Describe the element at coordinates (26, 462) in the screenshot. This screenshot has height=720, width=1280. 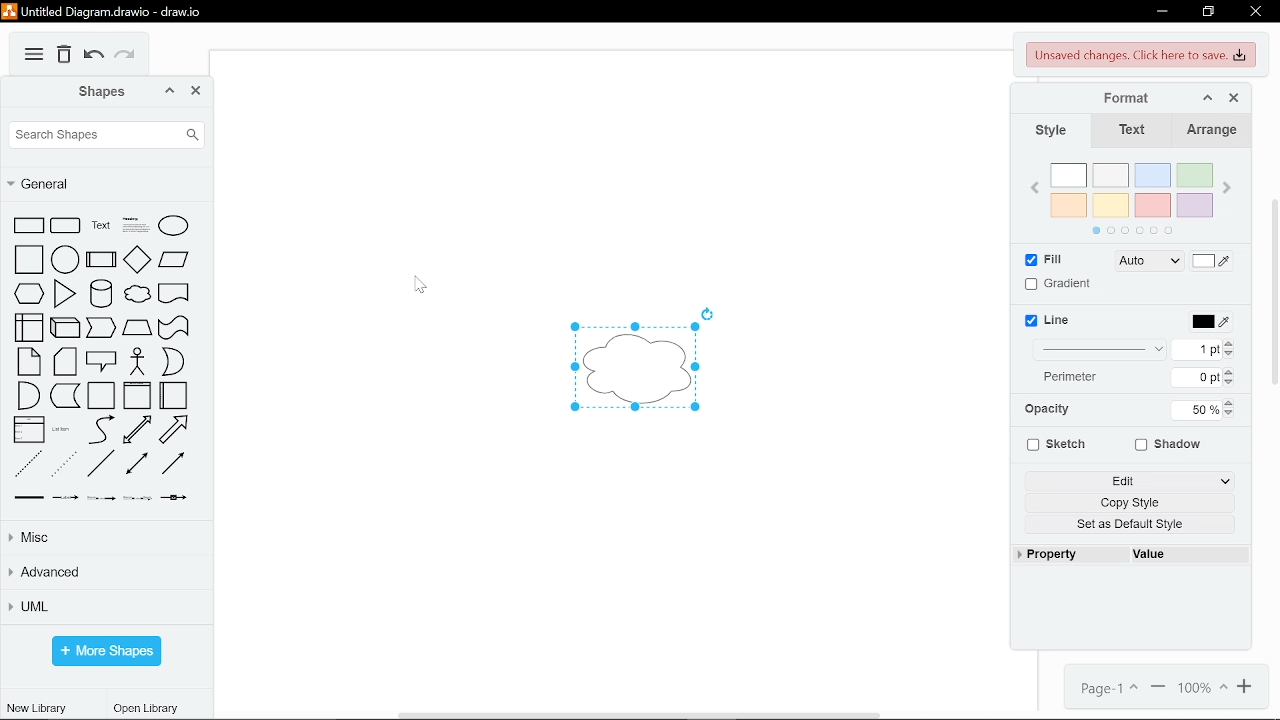
I see `dashed line` at that location.